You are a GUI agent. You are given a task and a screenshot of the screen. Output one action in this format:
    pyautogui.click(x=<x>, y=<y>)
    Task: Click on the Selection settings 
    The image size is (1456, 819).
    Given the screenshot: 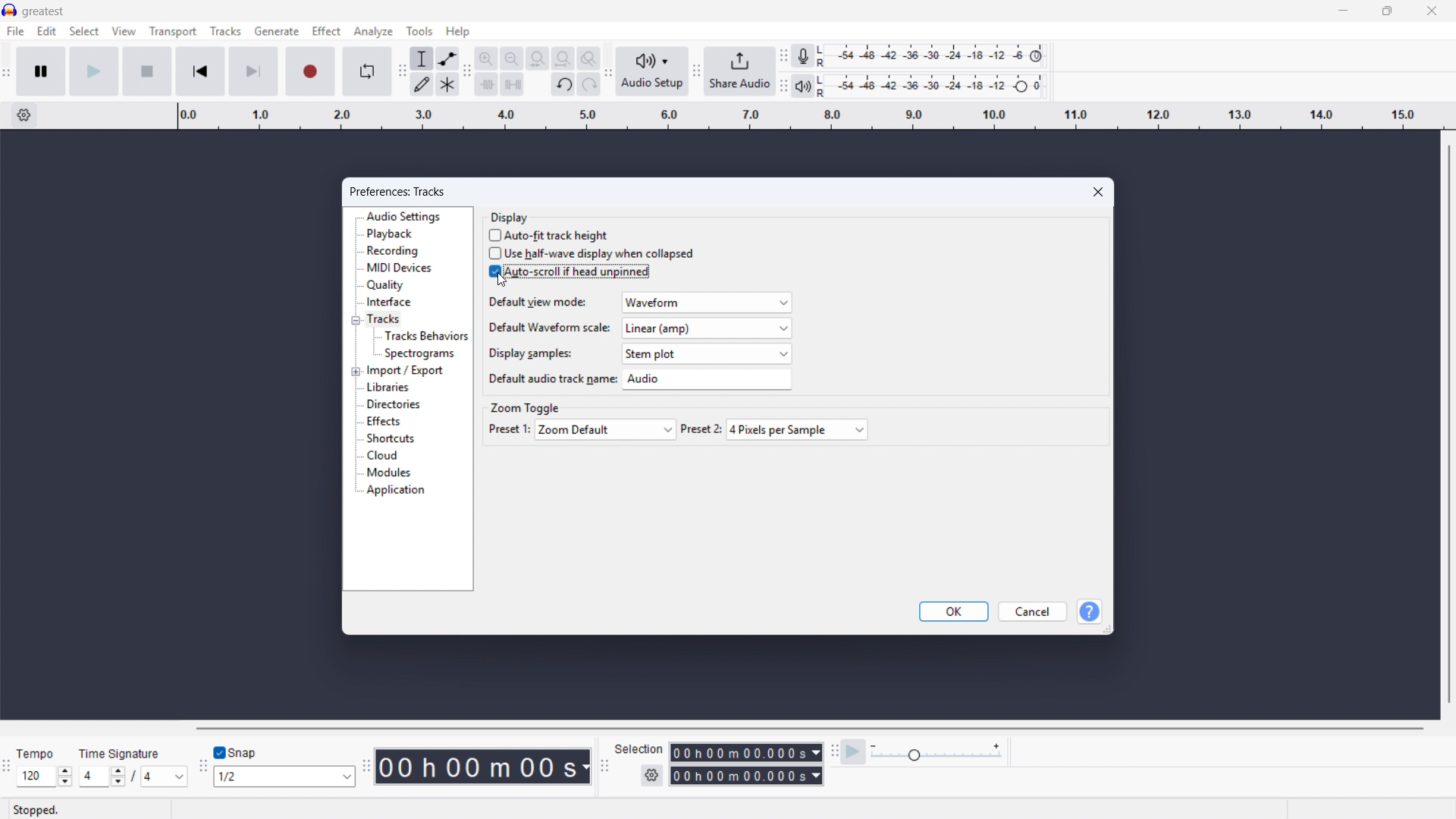 What is the action you would take?
    pyautogui.click(x=652, y=774)
    